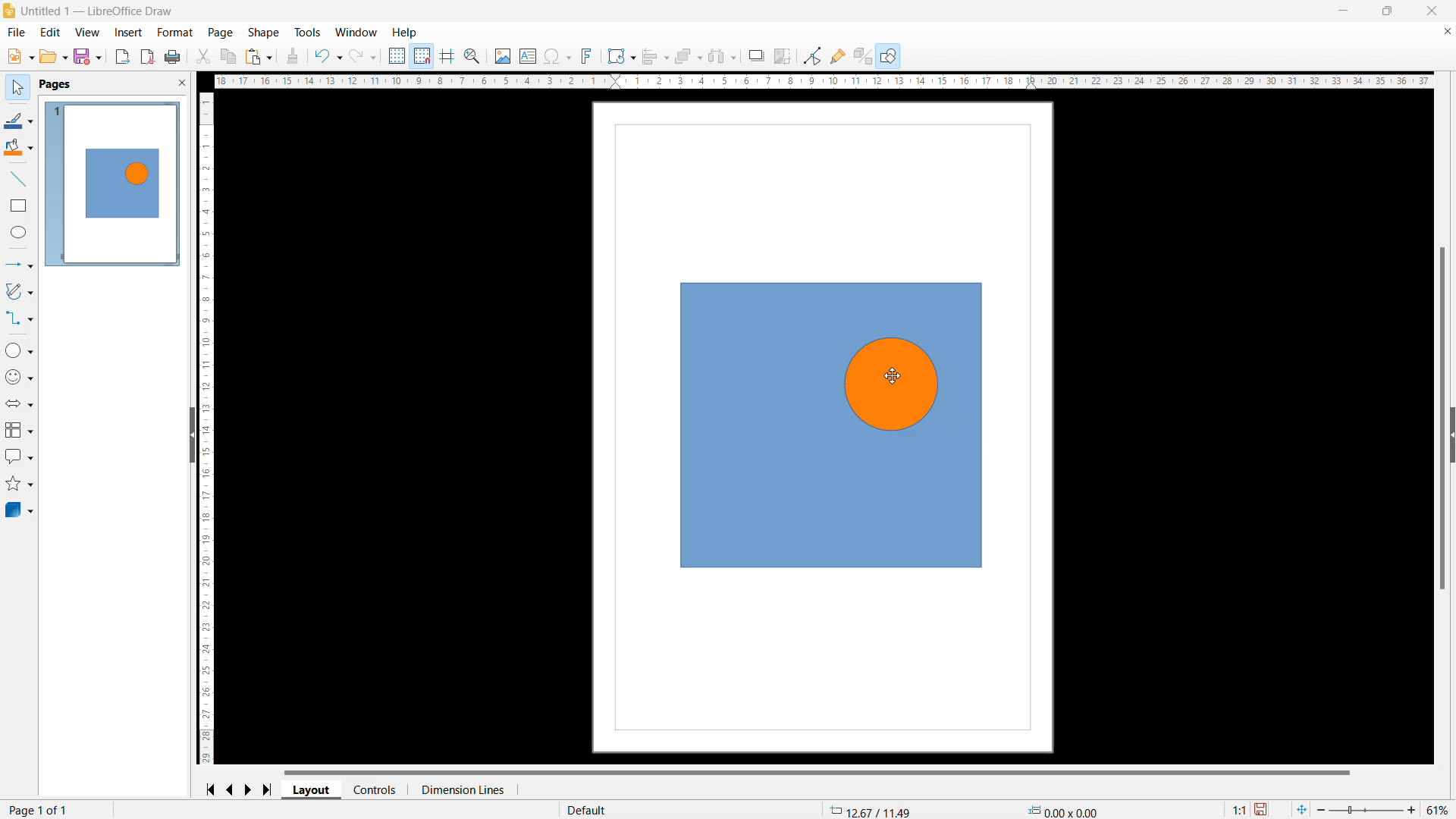  Describe the element at coordinates (268, 789) in the screenshot. I see `go to last page` at that location.